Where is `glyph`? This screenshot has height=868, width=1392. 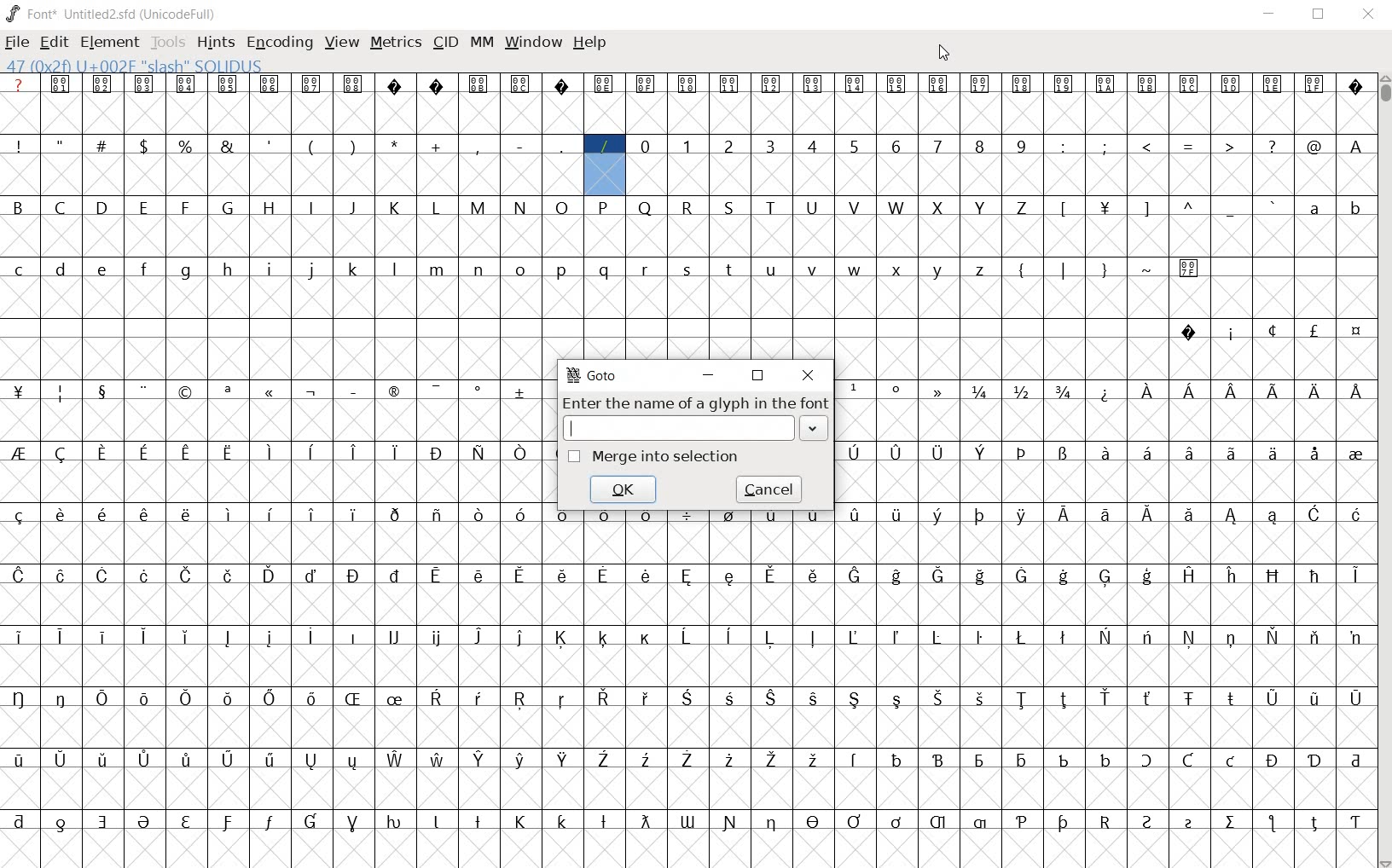
glyph is located at coordinates (520, 453).